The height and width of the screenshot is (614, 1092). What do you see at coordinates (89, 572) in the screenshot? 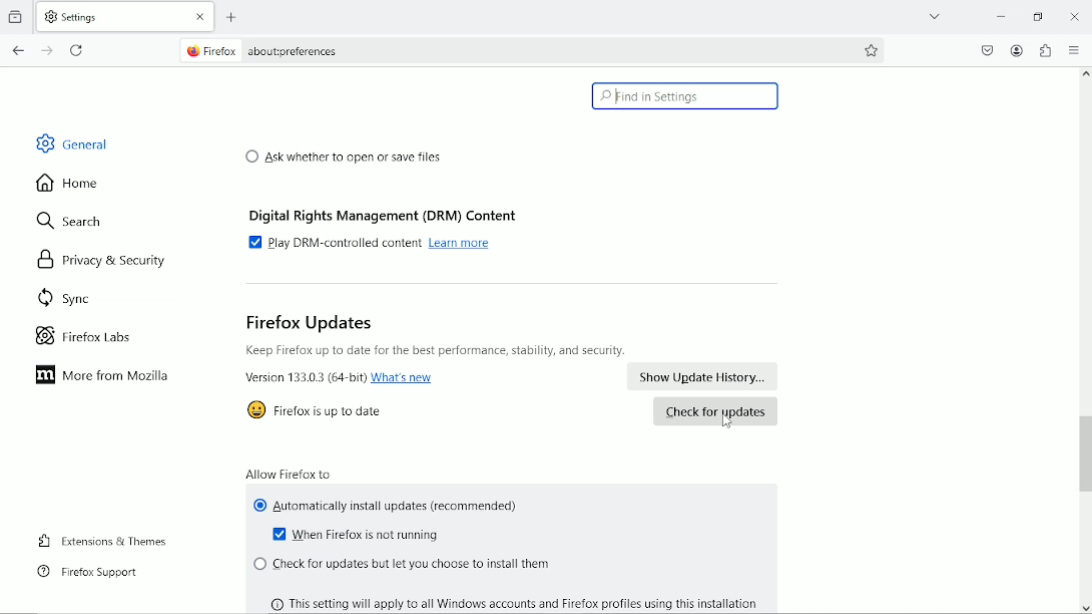
I see `firefox support` at bounding box center [89, 572].